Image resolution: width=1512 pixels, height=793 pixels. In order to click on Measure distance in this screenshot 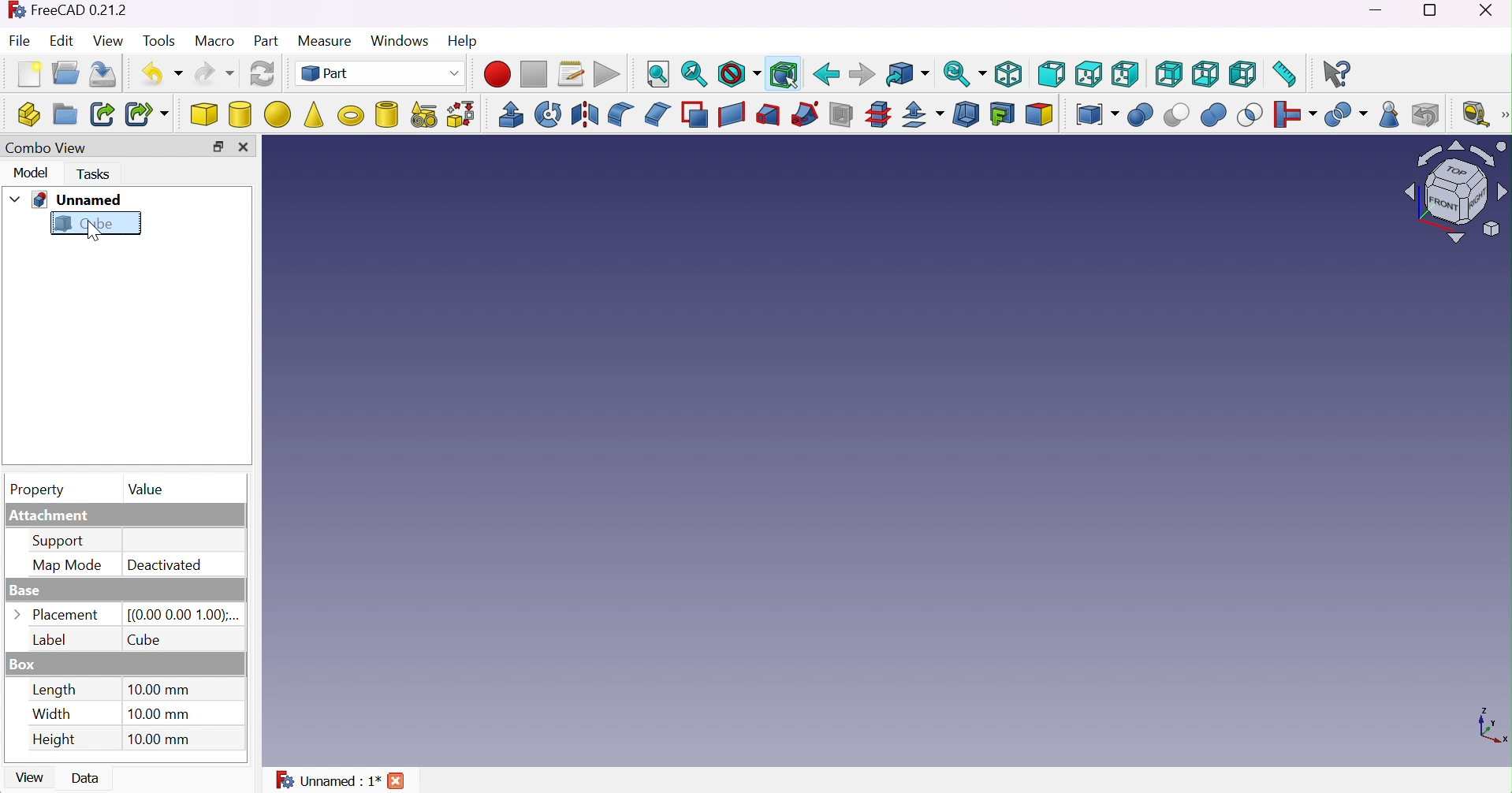, I will do `click(1284, 76)`.